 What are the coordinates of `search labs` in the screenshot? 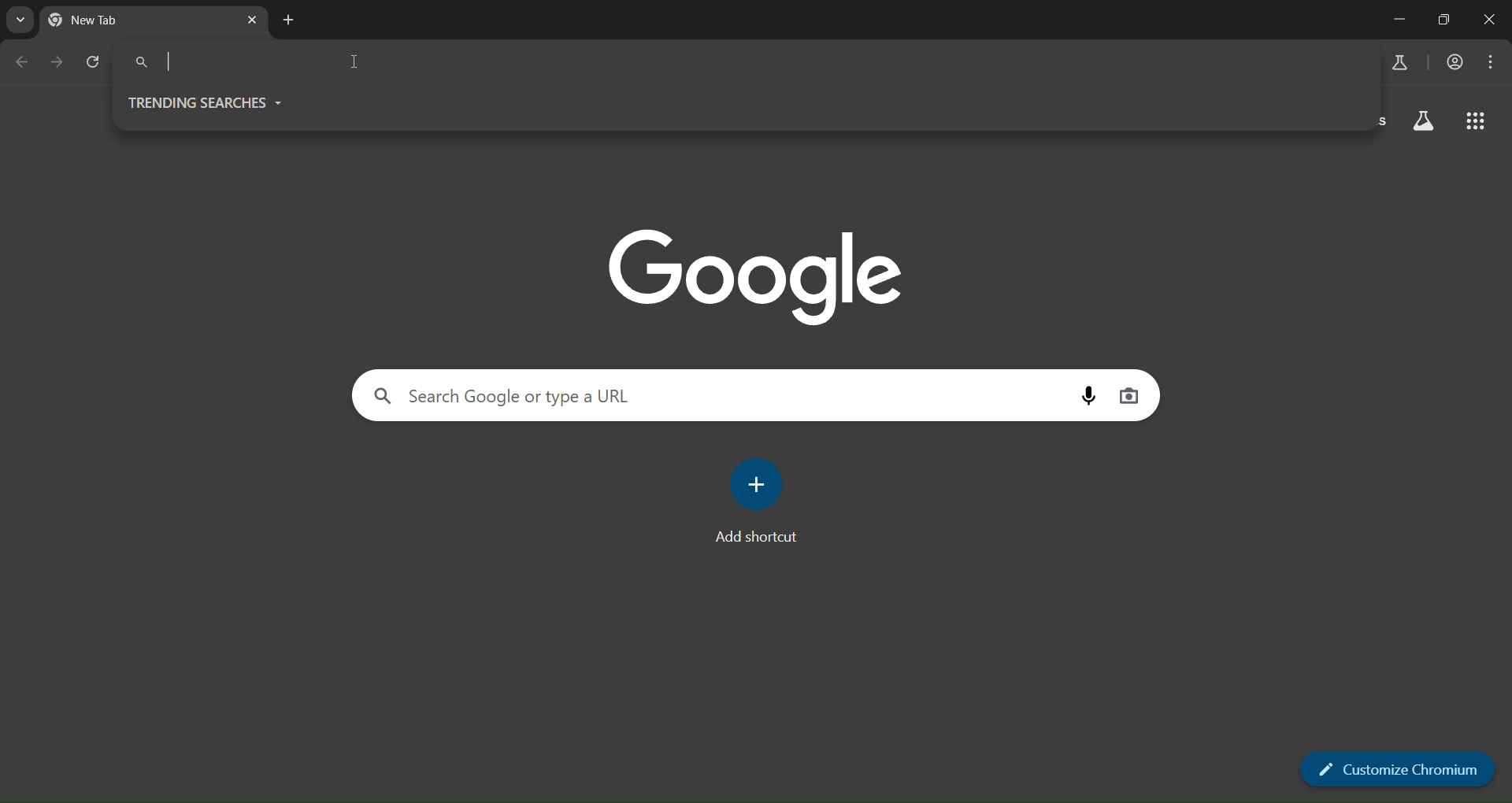 It's located at (1426, 121).